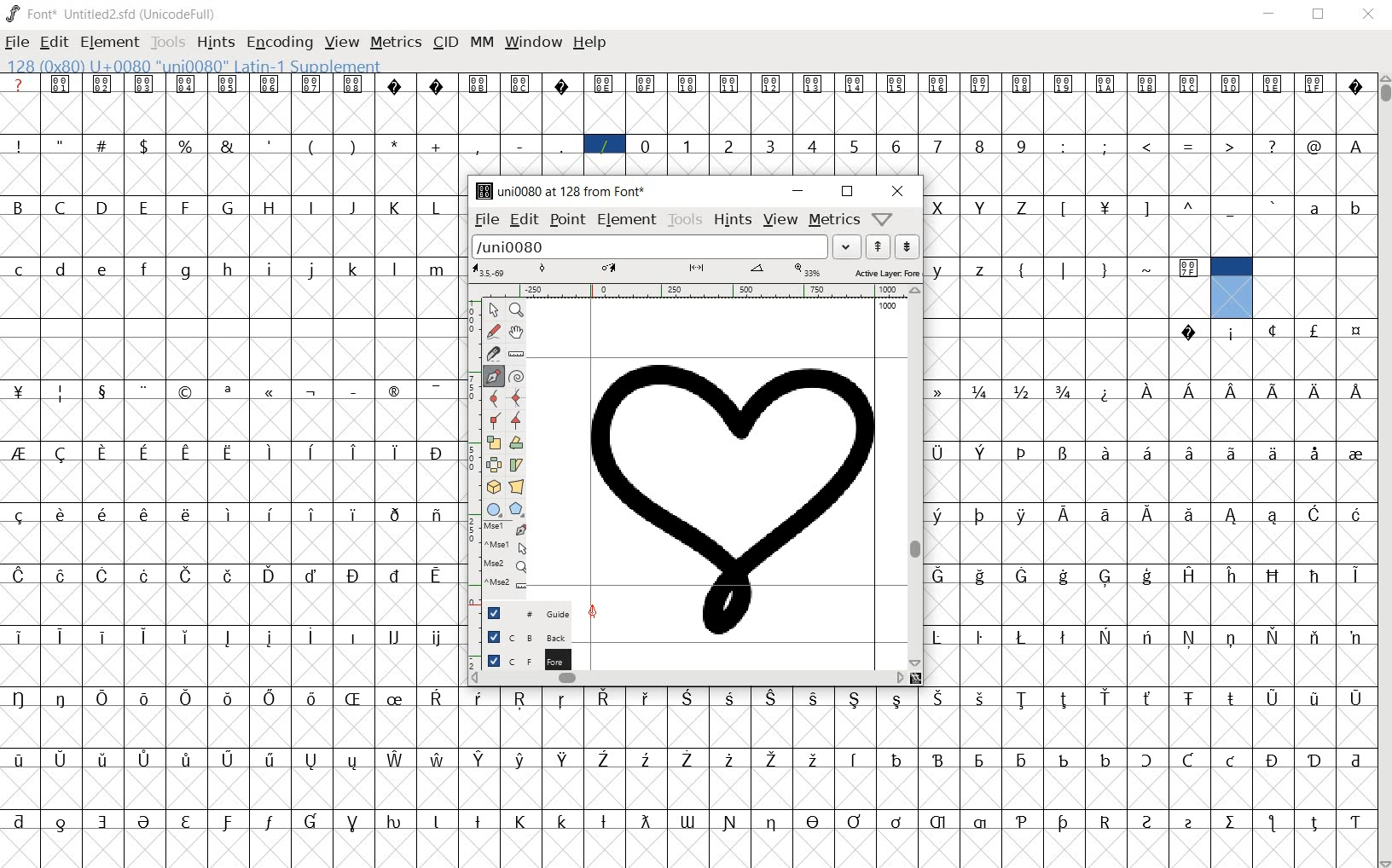 The height and width of the screenshot is (868, 1392). I want to click on minimize, so click(798, 190).